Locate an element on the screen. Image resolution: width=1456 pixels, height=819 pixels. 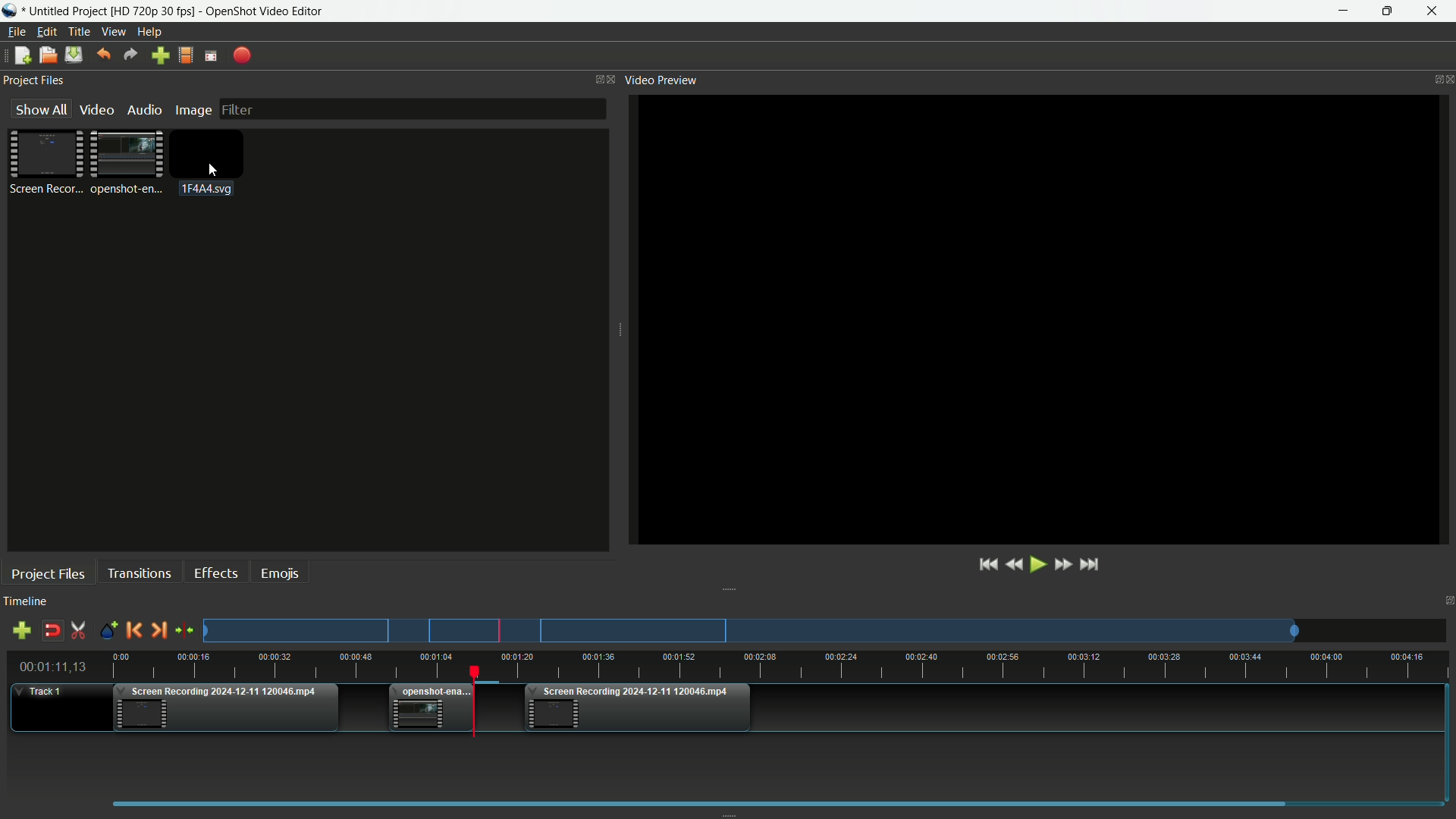
scrollbar  is located at coordinates (771, 802).